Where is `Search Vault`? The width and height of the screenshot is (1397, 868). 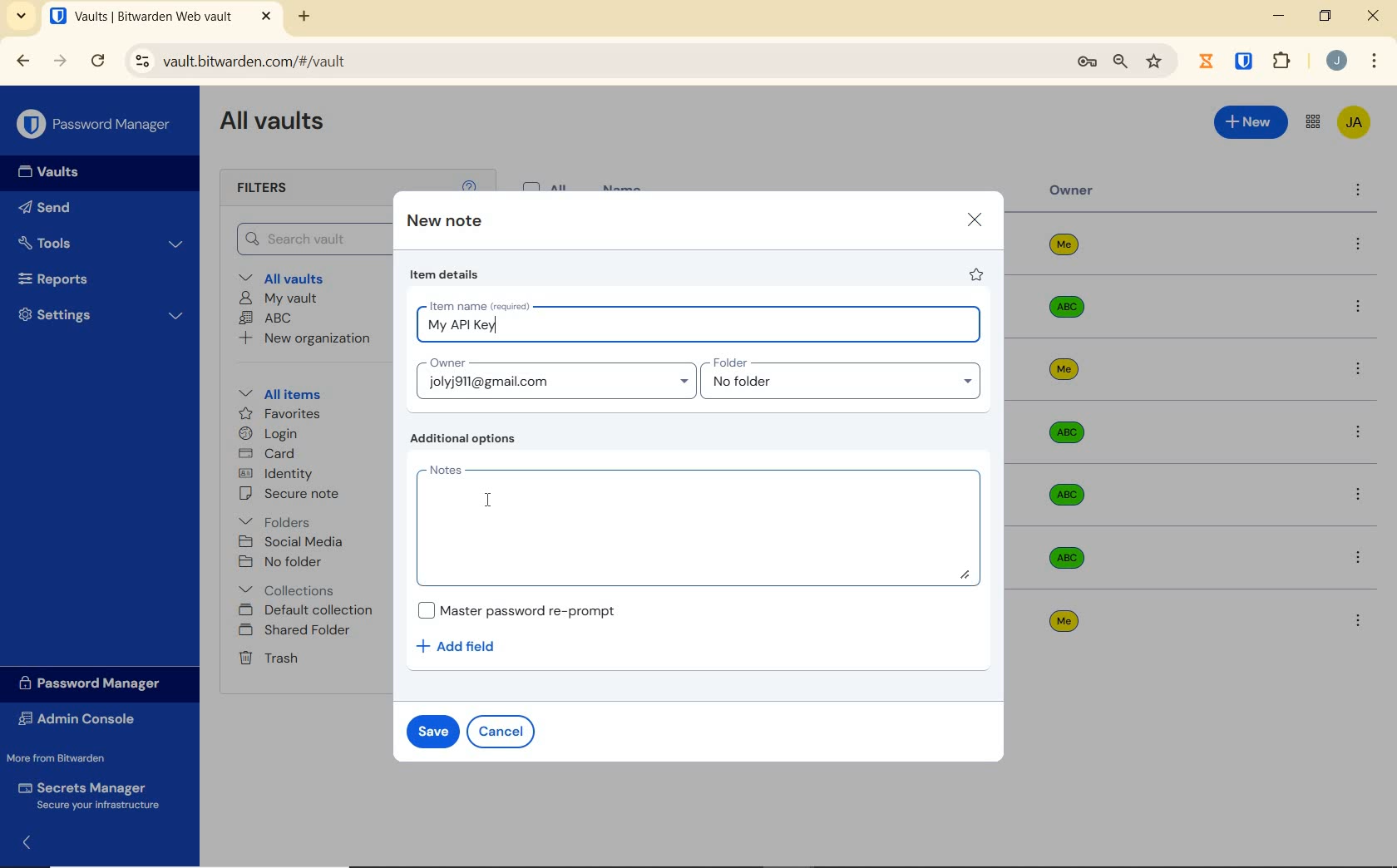 Search Vault is located at coordinates (311, 238).